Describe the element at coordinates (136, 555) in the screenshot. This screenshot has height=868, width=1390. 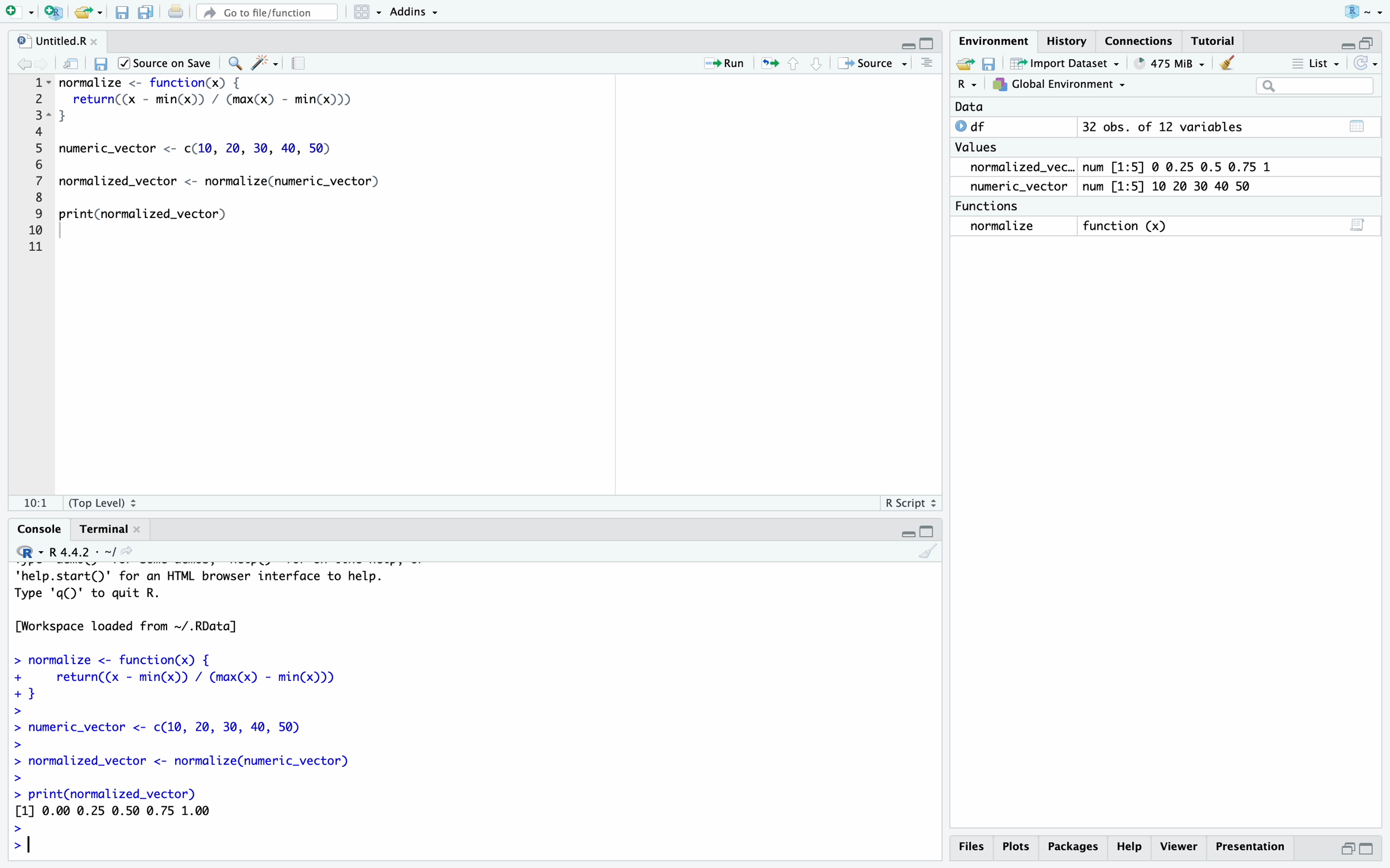
I see `View the current working directory` at that location.